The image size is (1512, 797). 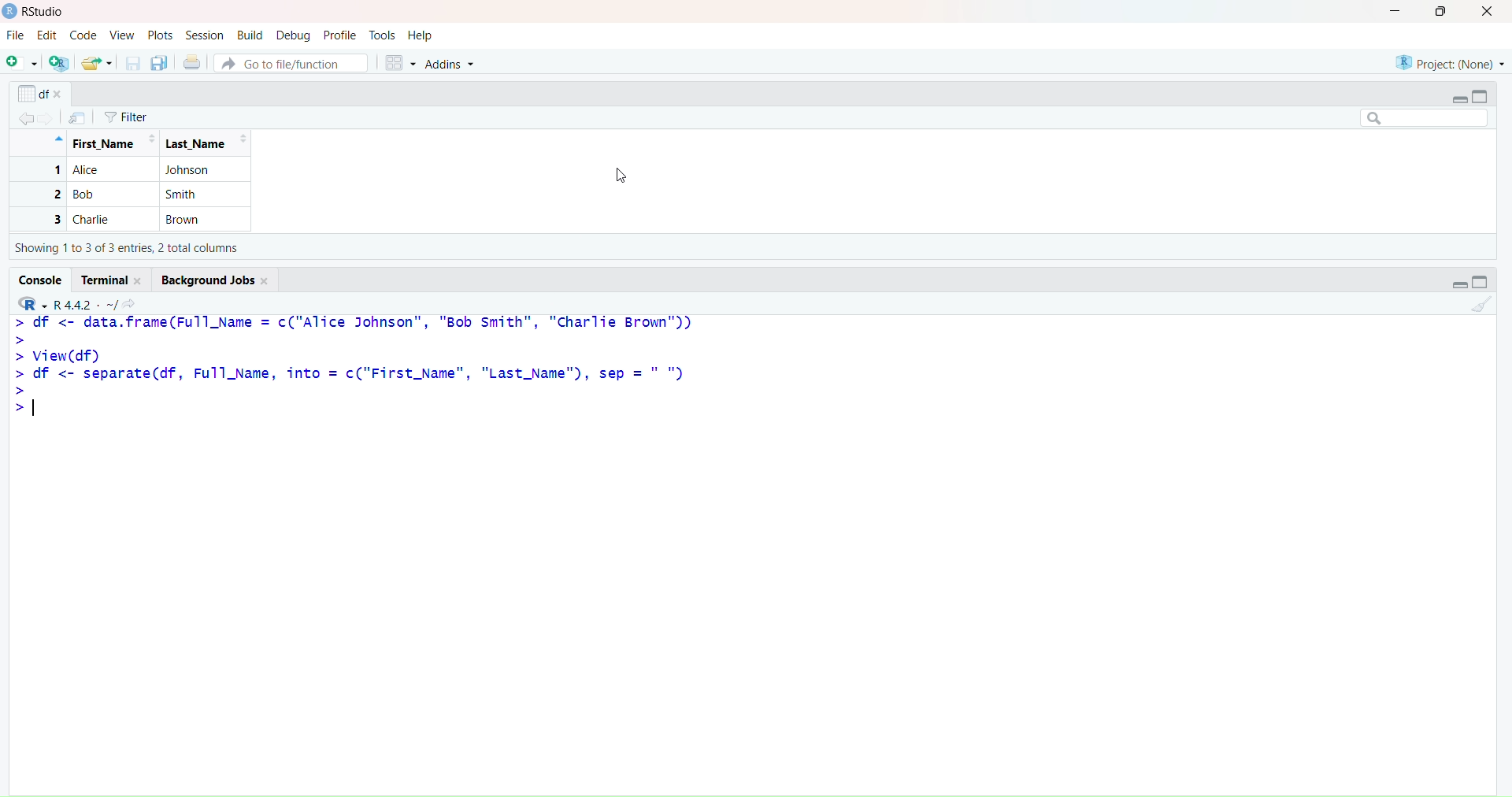 What do you see at coordinates (124, 34) in the screenshot?
I see `View` at bounding box center [124, 34].